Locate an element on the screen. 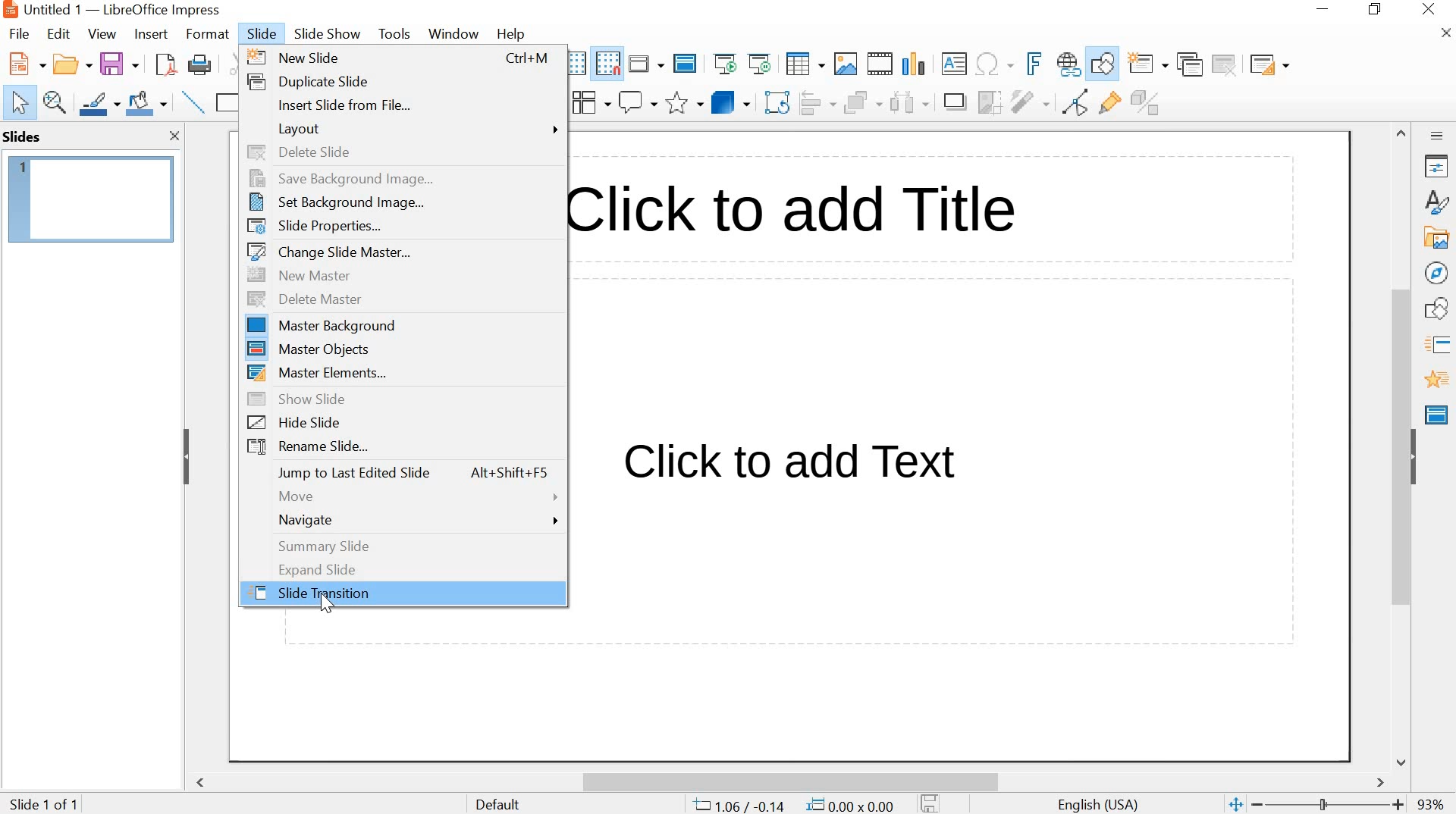 The width and height of the screenshot is (1456, 814). Show Gluepoint Functions is located at coordinates (1111, 103).